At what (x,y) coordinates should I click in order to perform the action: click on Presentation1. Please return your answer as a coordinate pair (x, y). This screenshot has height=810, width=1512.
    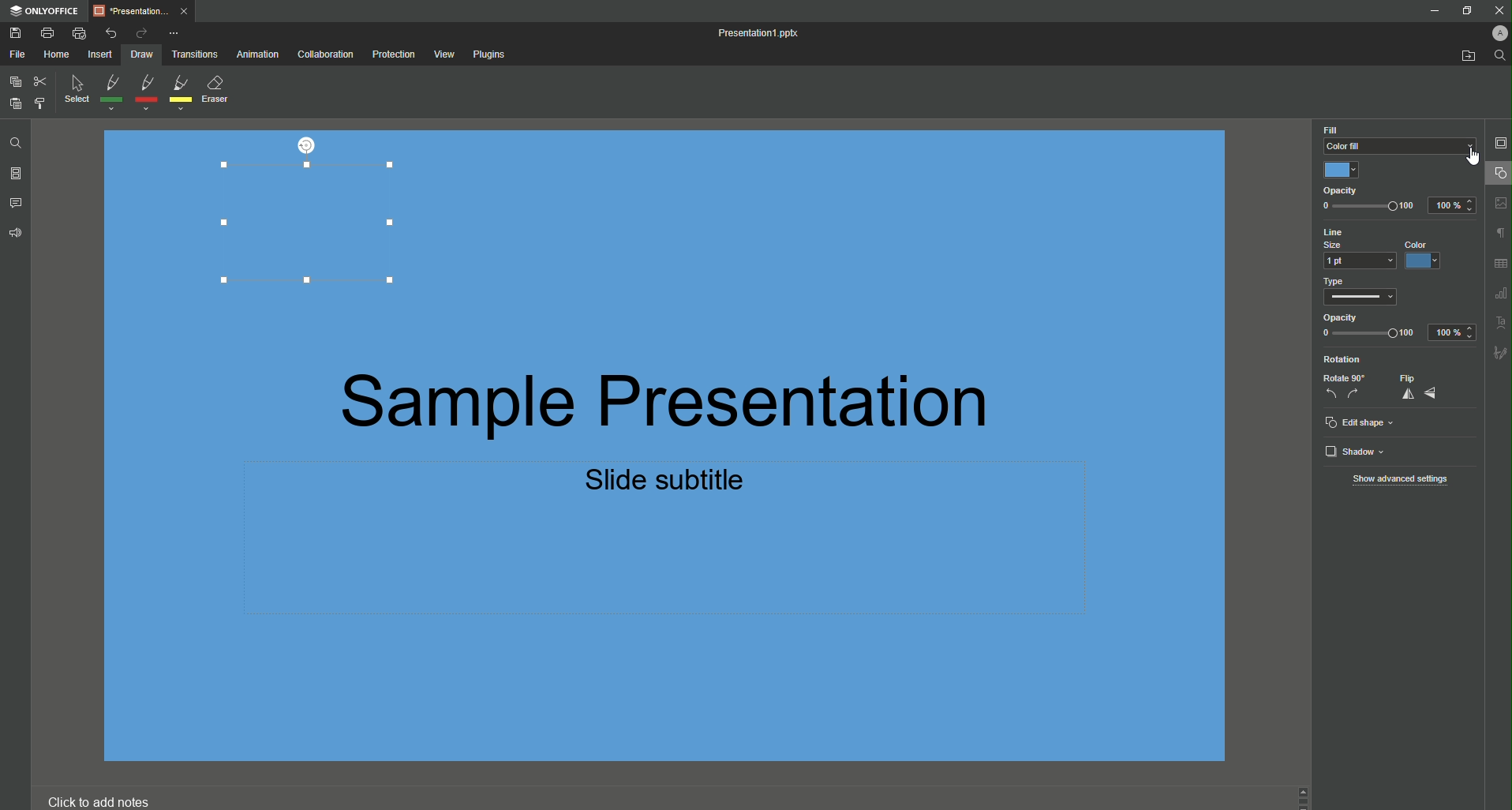
    Looking at the image, I should click on (765, 33).